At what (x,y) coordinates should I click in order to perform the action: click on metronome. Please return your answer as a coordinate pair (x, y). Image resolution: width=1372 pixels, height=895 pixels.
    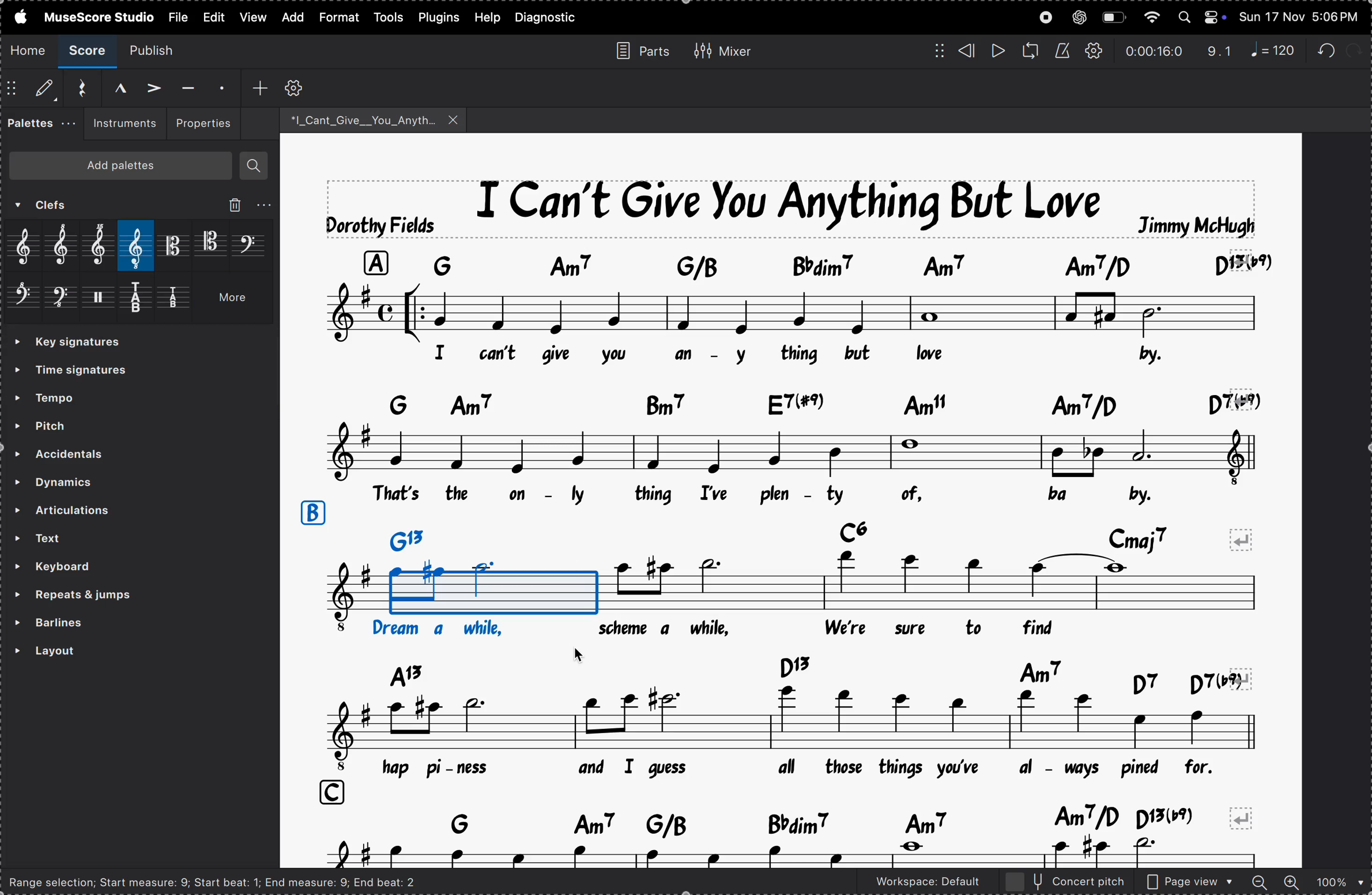
    Looking at the image, I should click on (1062, 51).